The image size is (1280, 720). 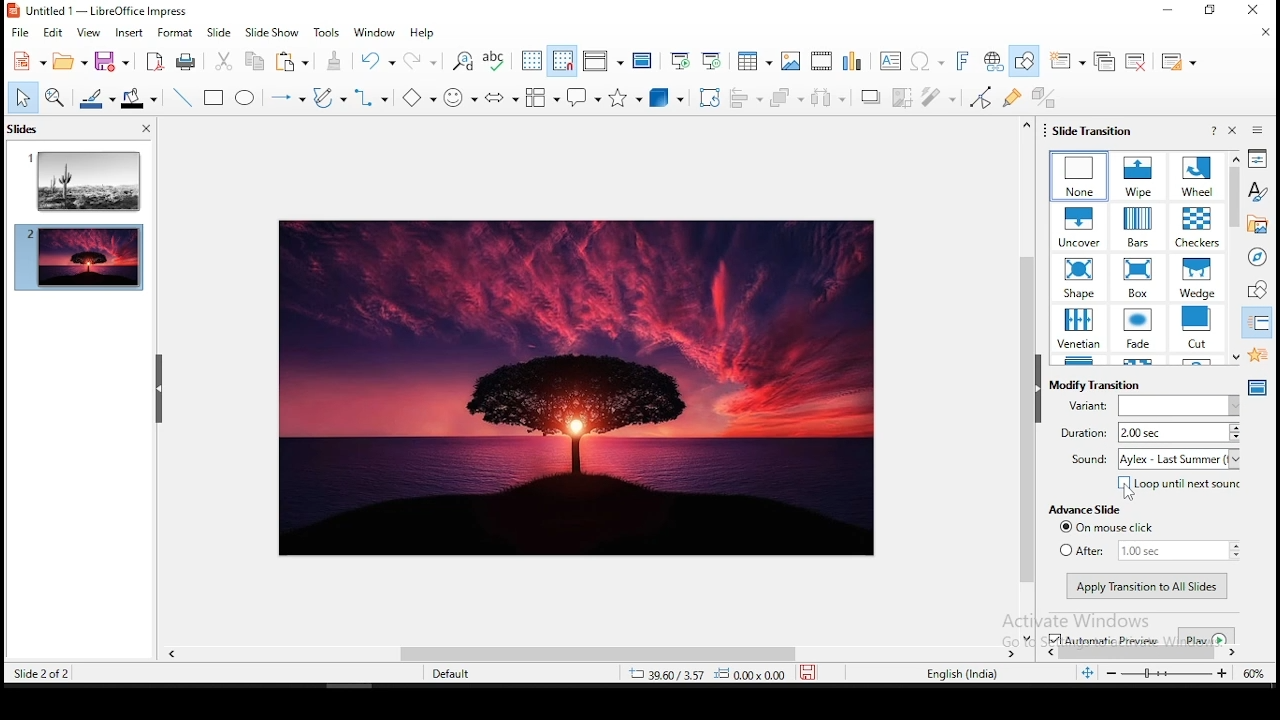 I want to click on slide 2 of 2, so click(x=46, y=676).